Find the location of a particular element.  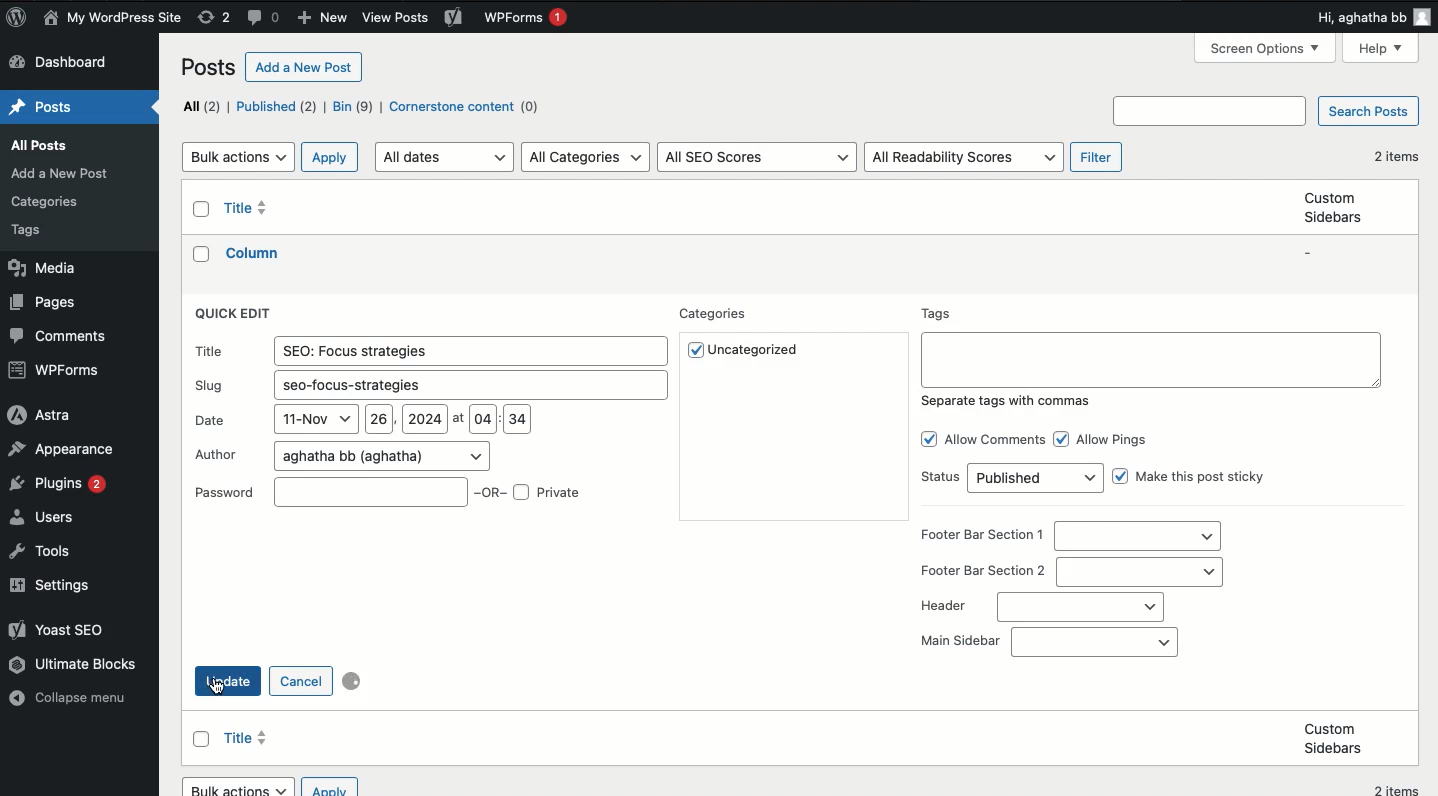

WPForms is located at coordinates (56, 369).